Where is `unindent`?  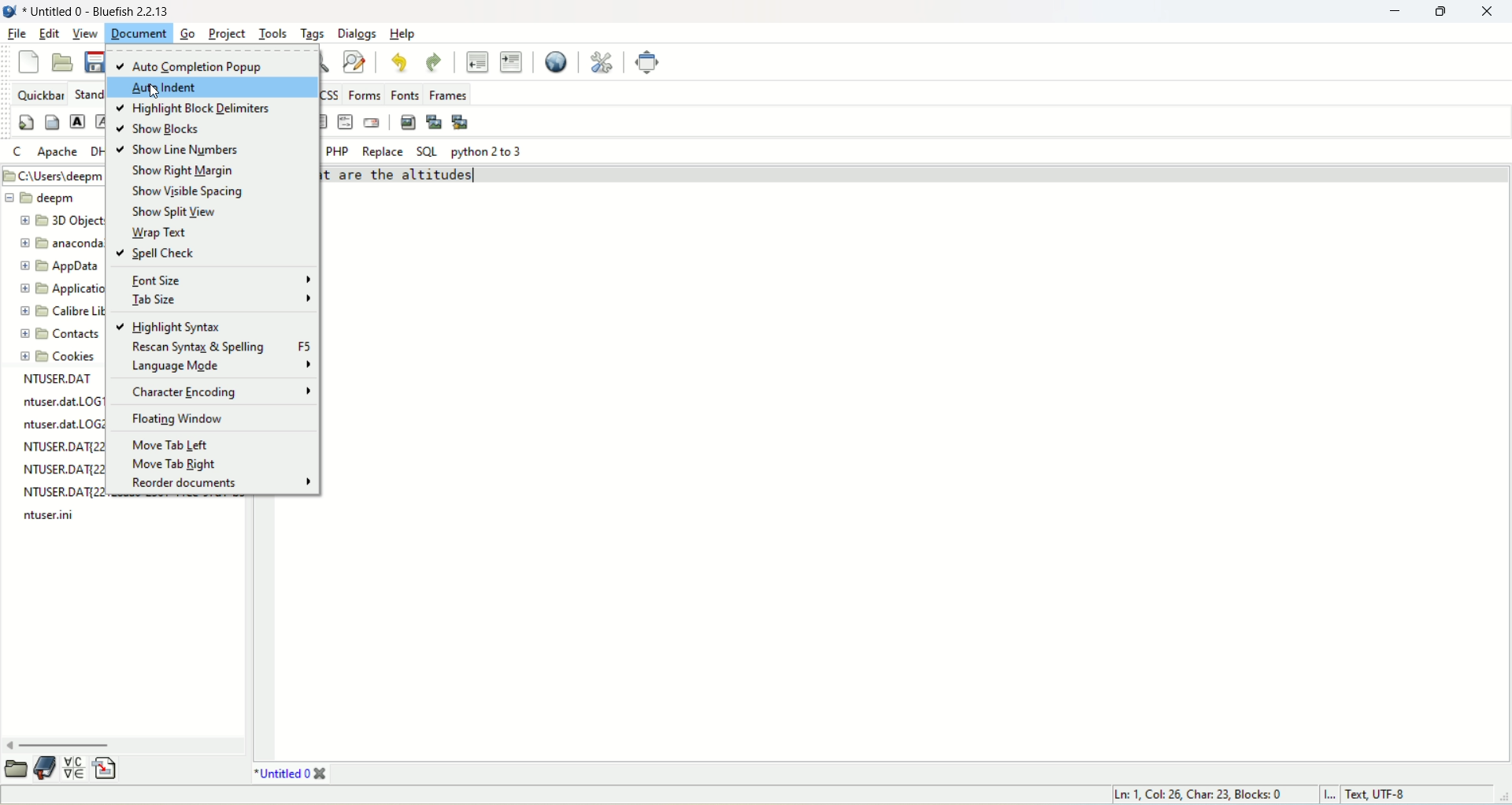
unindent is located at coordinates (476, 61).